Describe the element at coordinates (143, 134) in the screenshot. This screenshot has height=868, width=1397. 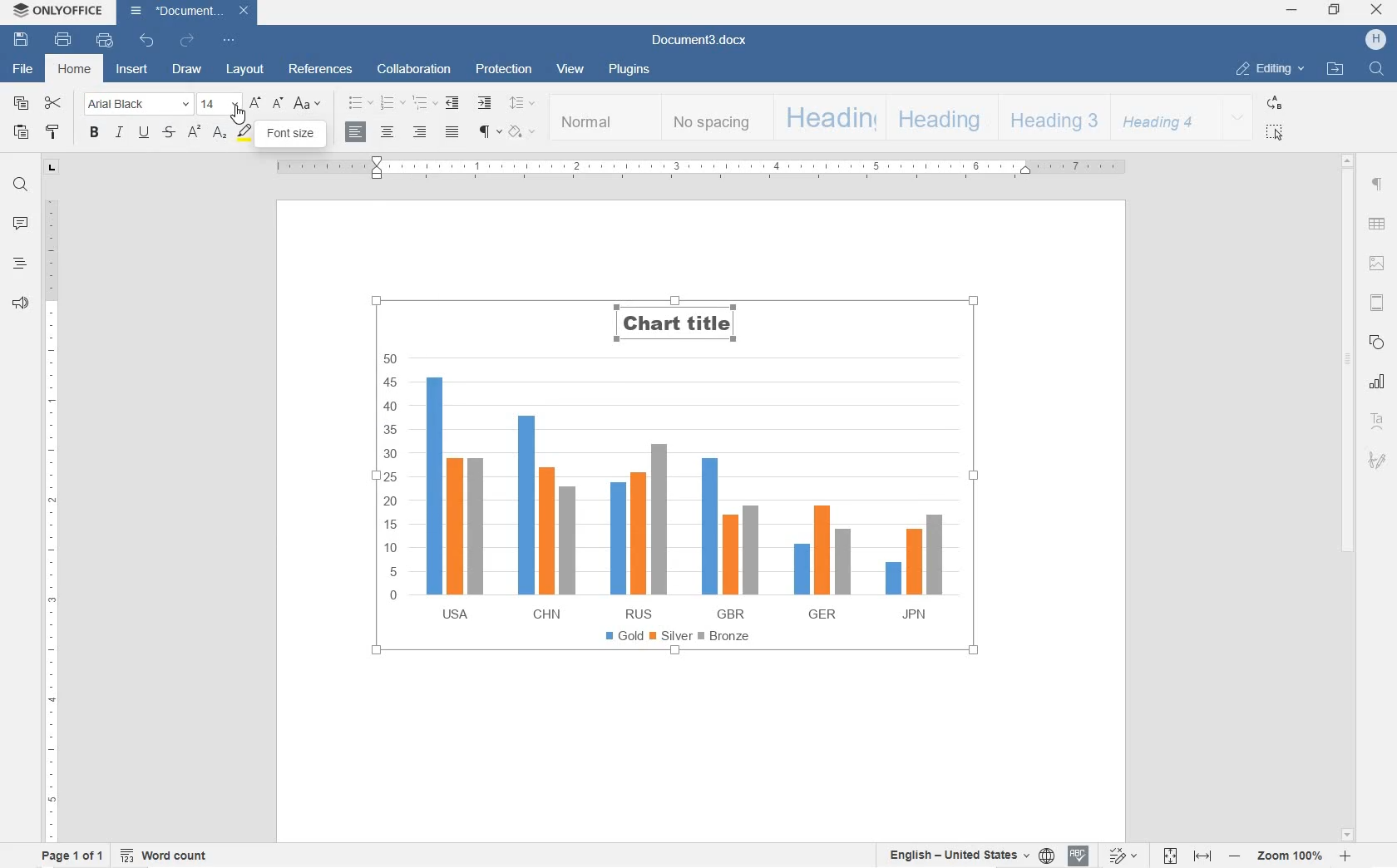
I see `UNDERLINE` at that location.